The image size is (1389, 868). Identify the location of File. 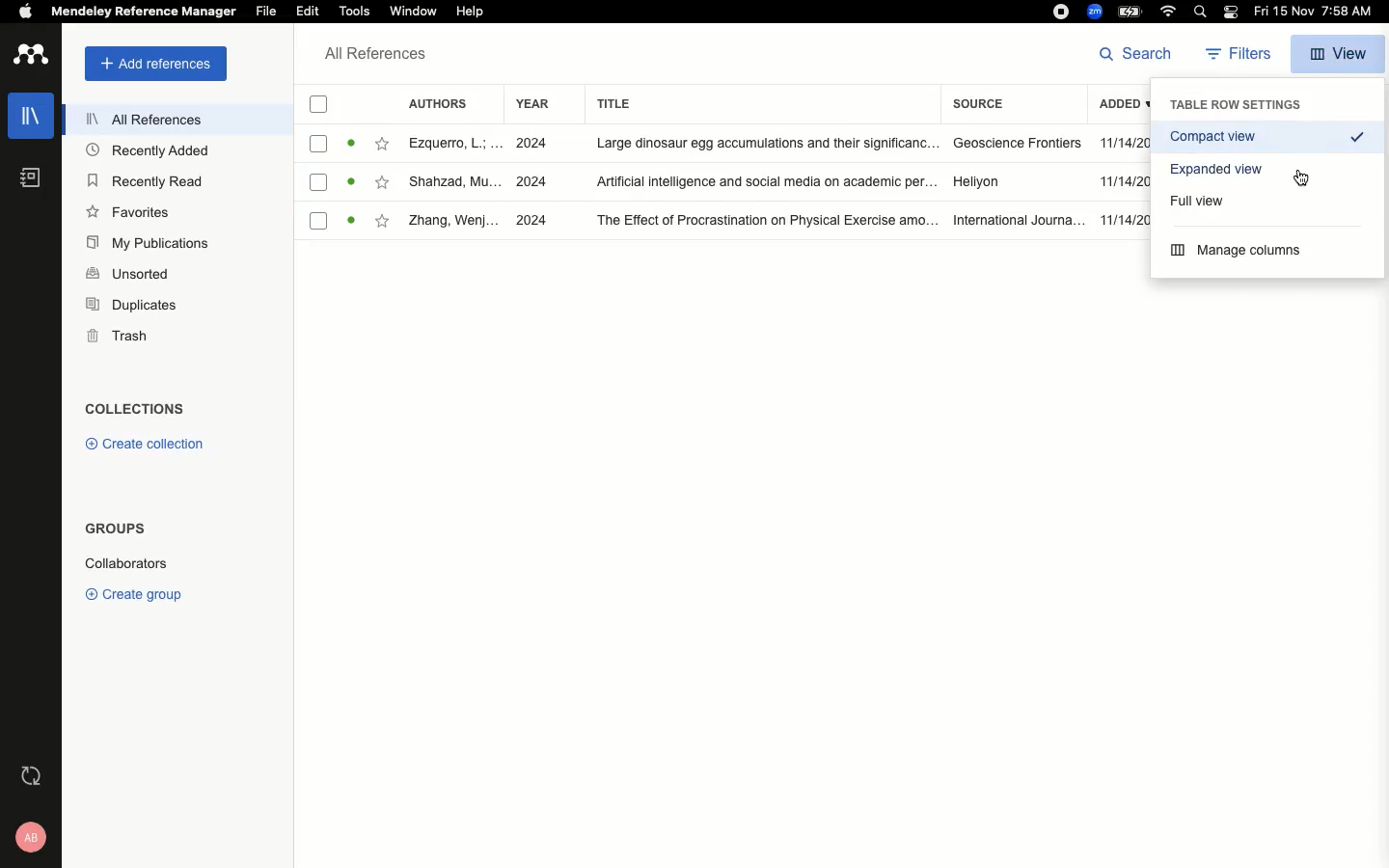
(267, 11).